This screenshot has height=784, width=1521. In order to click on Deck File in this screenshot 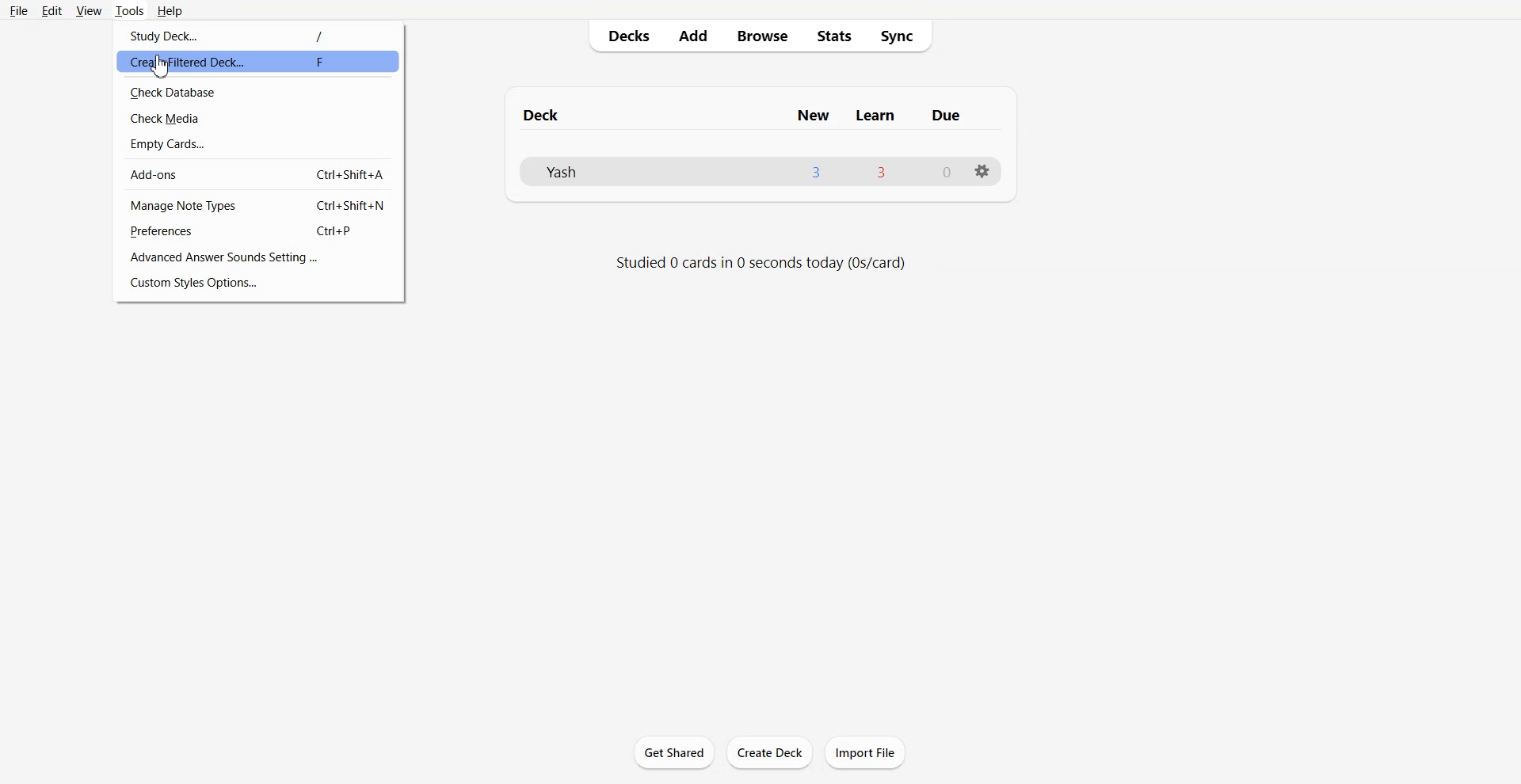, I will do `click(589, 170)`.